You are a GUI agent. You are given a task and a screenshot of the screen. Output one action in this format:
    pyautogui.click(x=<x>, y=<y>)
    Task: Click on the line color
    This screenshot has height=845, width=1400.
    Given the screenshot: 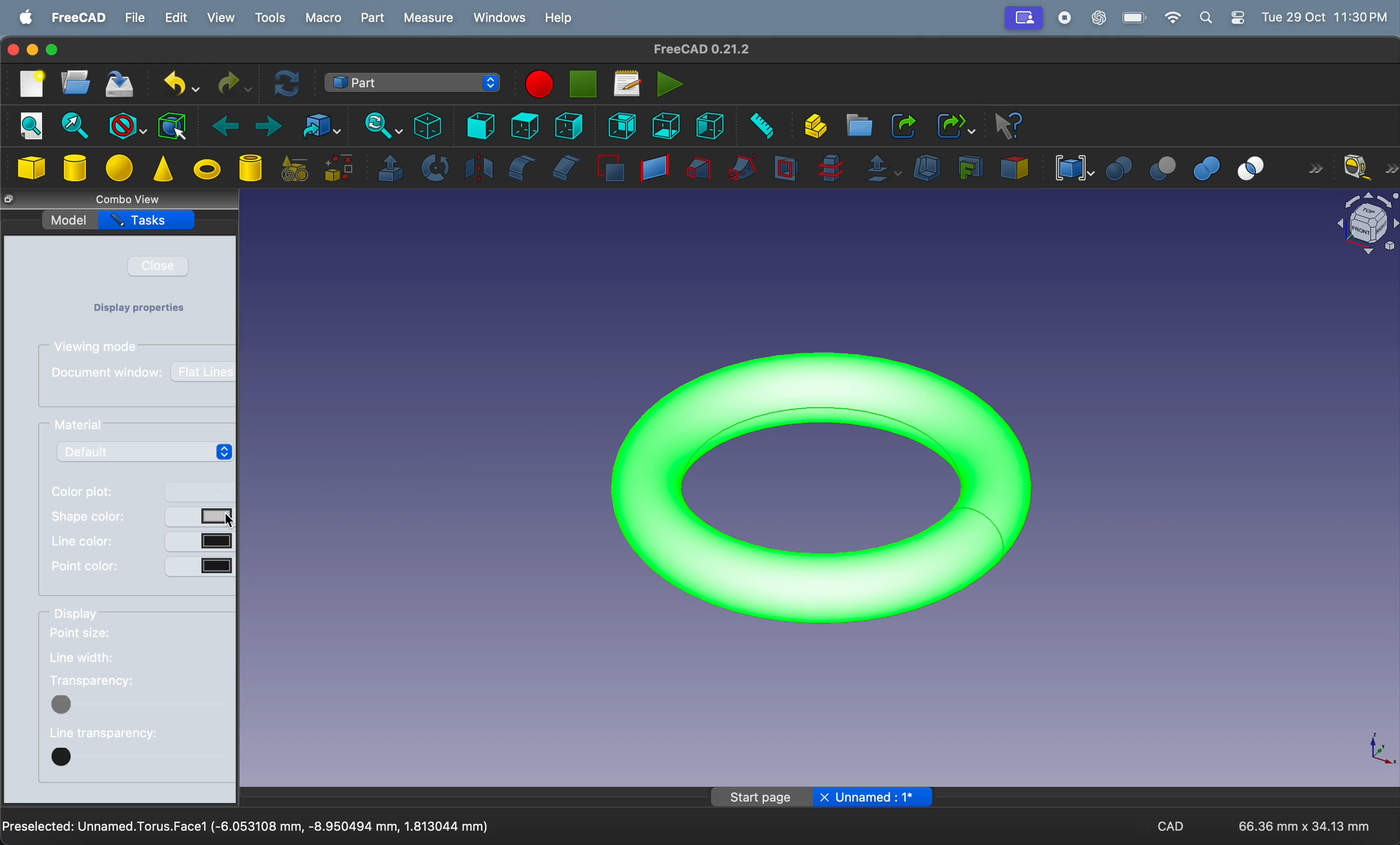 What is the action you would take?
    pyautogui.click(x=77, y=542)
    